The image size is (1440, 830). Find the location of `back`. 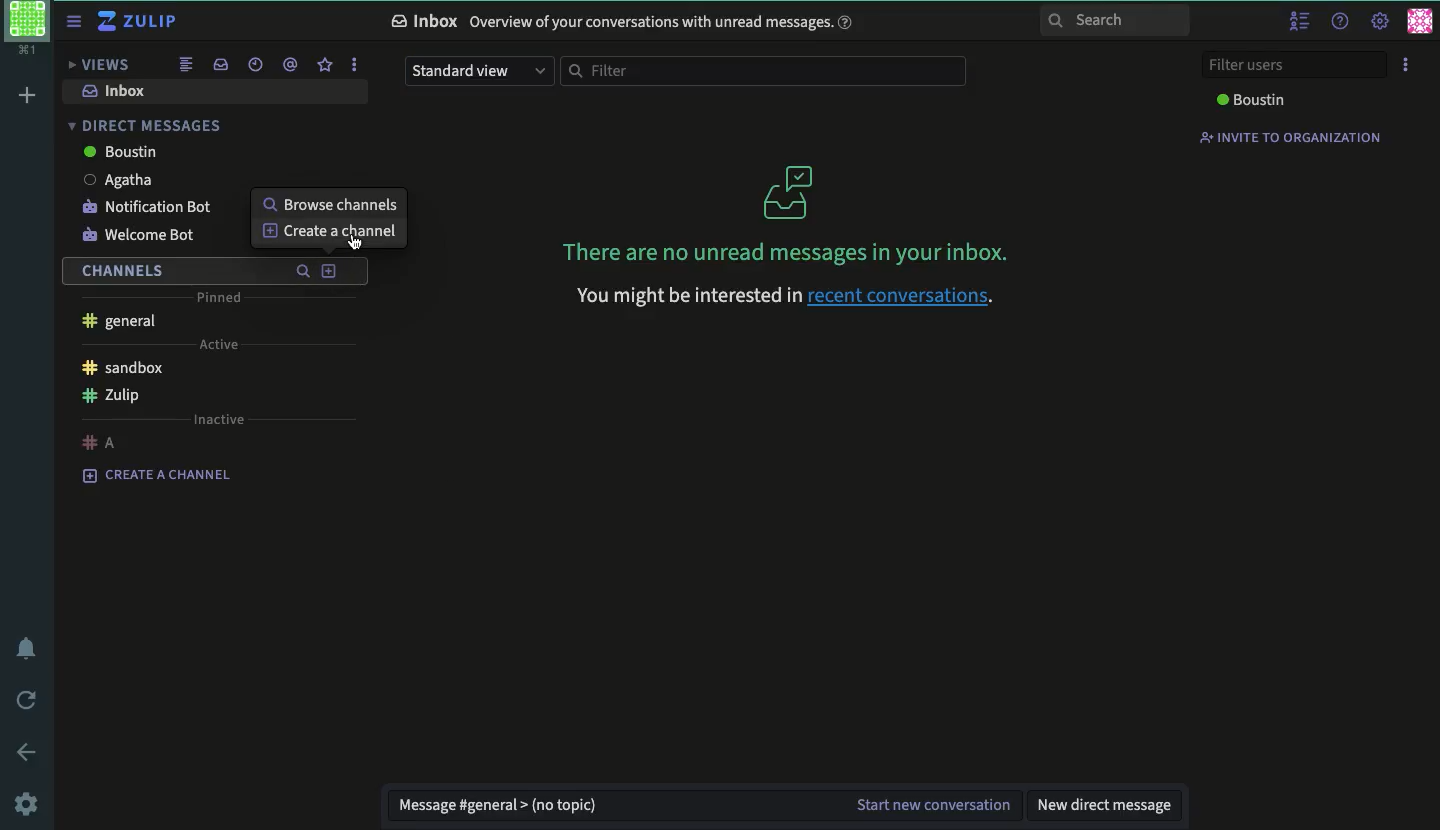

back is located at coordinates (31, 751).